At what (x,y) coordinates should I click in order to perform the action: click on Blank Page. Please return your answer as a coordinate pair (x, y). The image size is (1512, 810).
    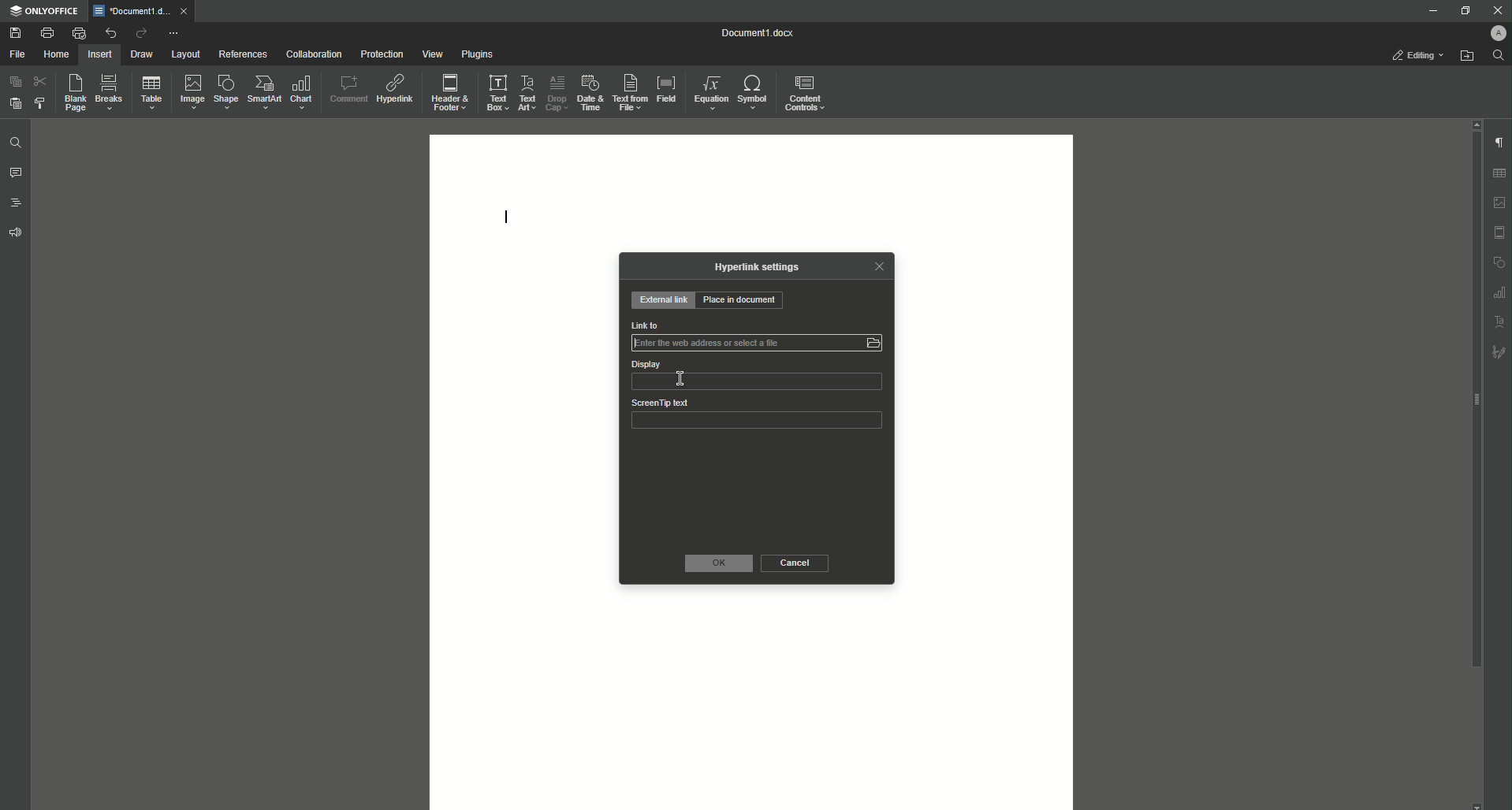
    Looking at the image, I should click on (74, 92).